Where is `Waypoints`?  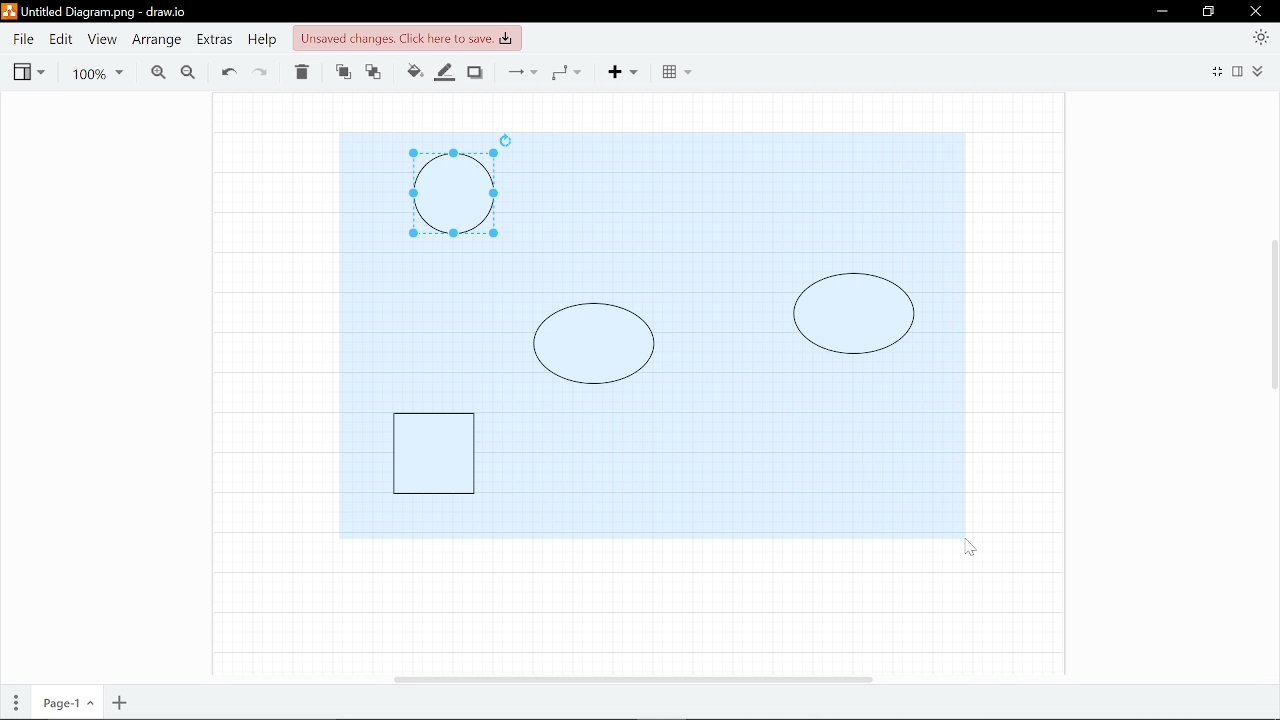
Waypoints is located at coordinates (572, 71).